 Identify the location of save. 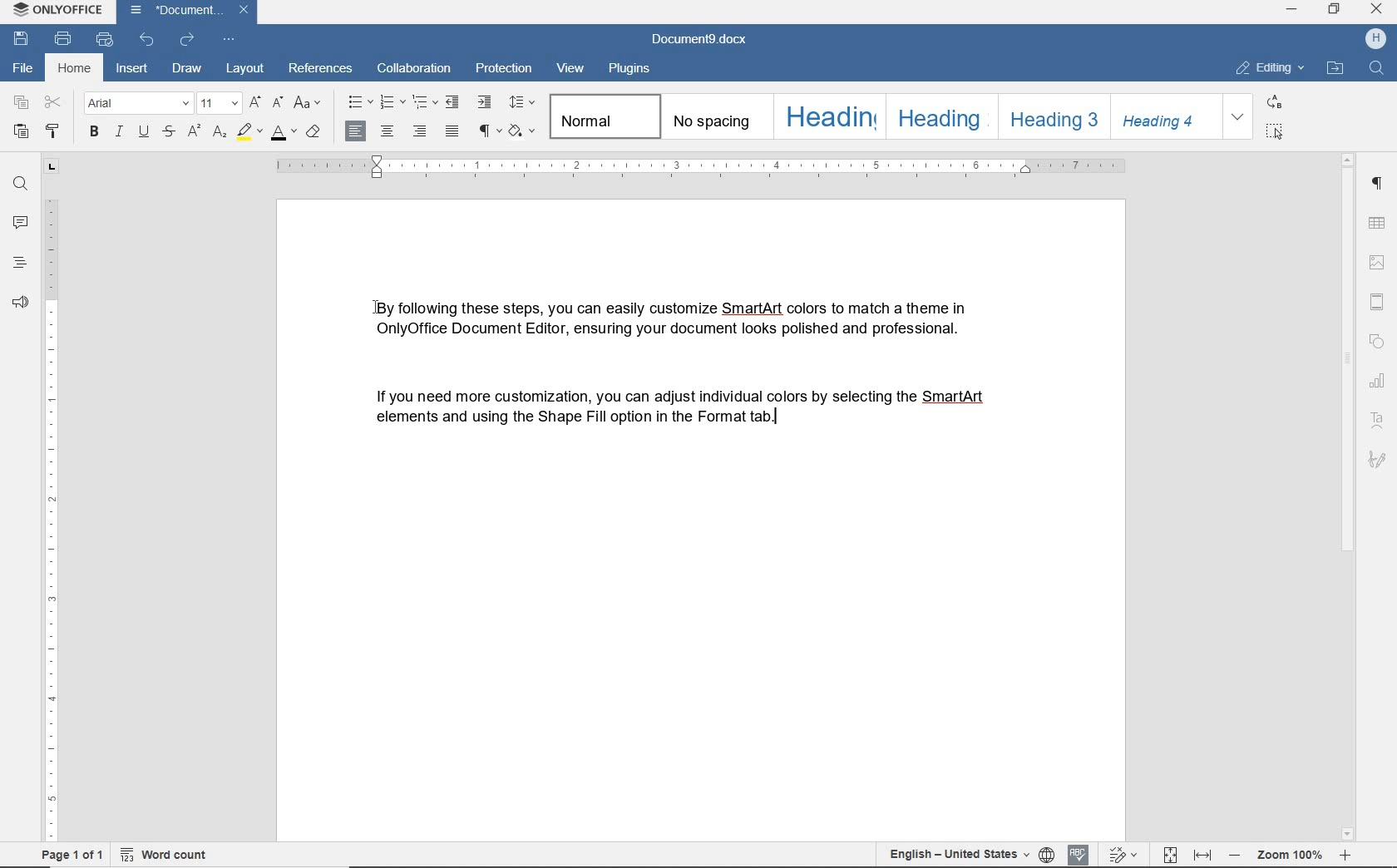
(22, 37).